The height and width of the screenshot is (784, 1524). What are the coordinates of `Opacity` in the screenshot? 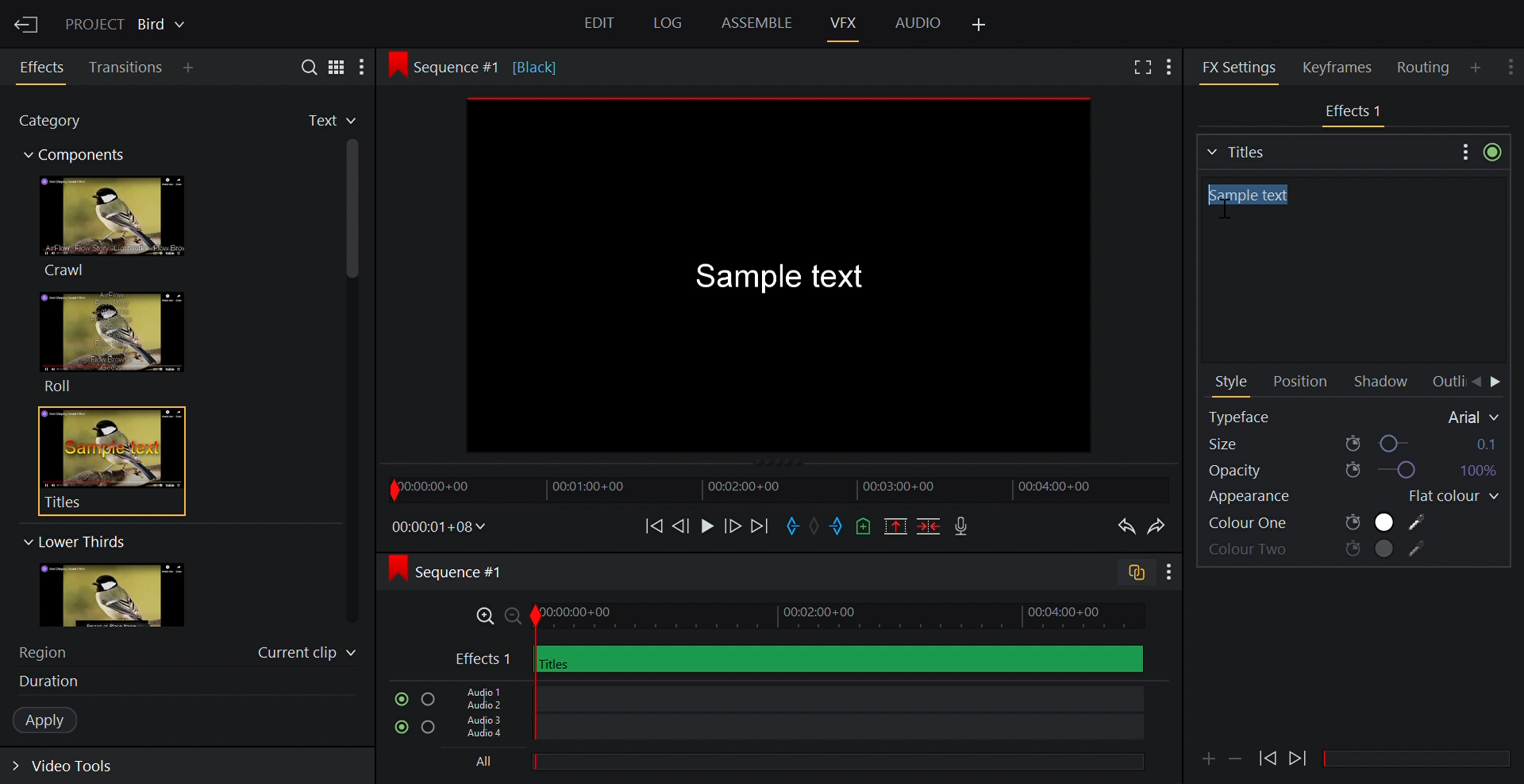 It's located at (1351, 471).